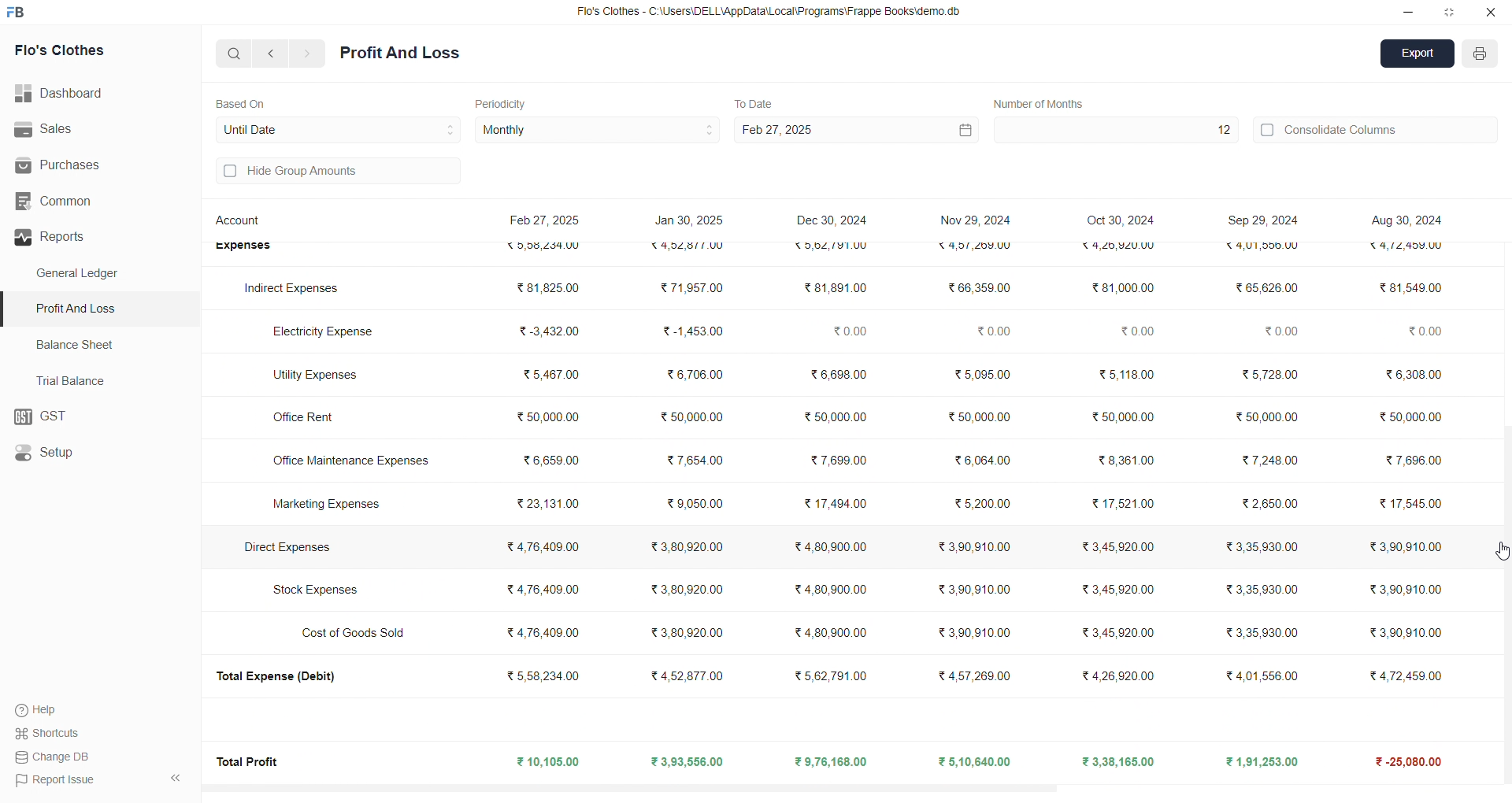  What do you see at coordinates (1499, 546) in the screenshot?
I see `cursor` at bounding box center [1499, 546].